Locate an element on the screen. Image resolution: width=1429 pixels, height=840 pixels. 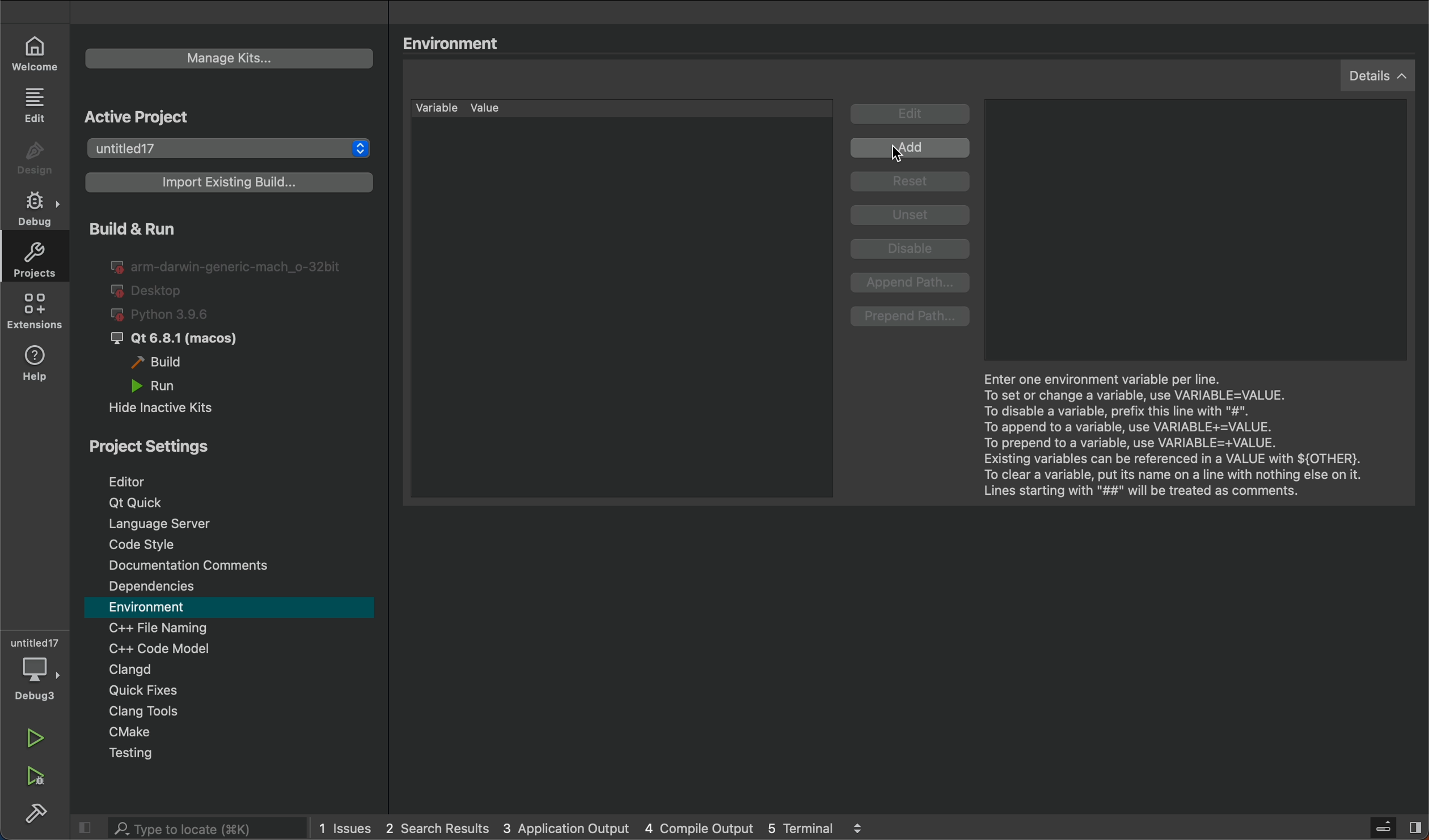
Build & Run is located at coordinates (171, 228).